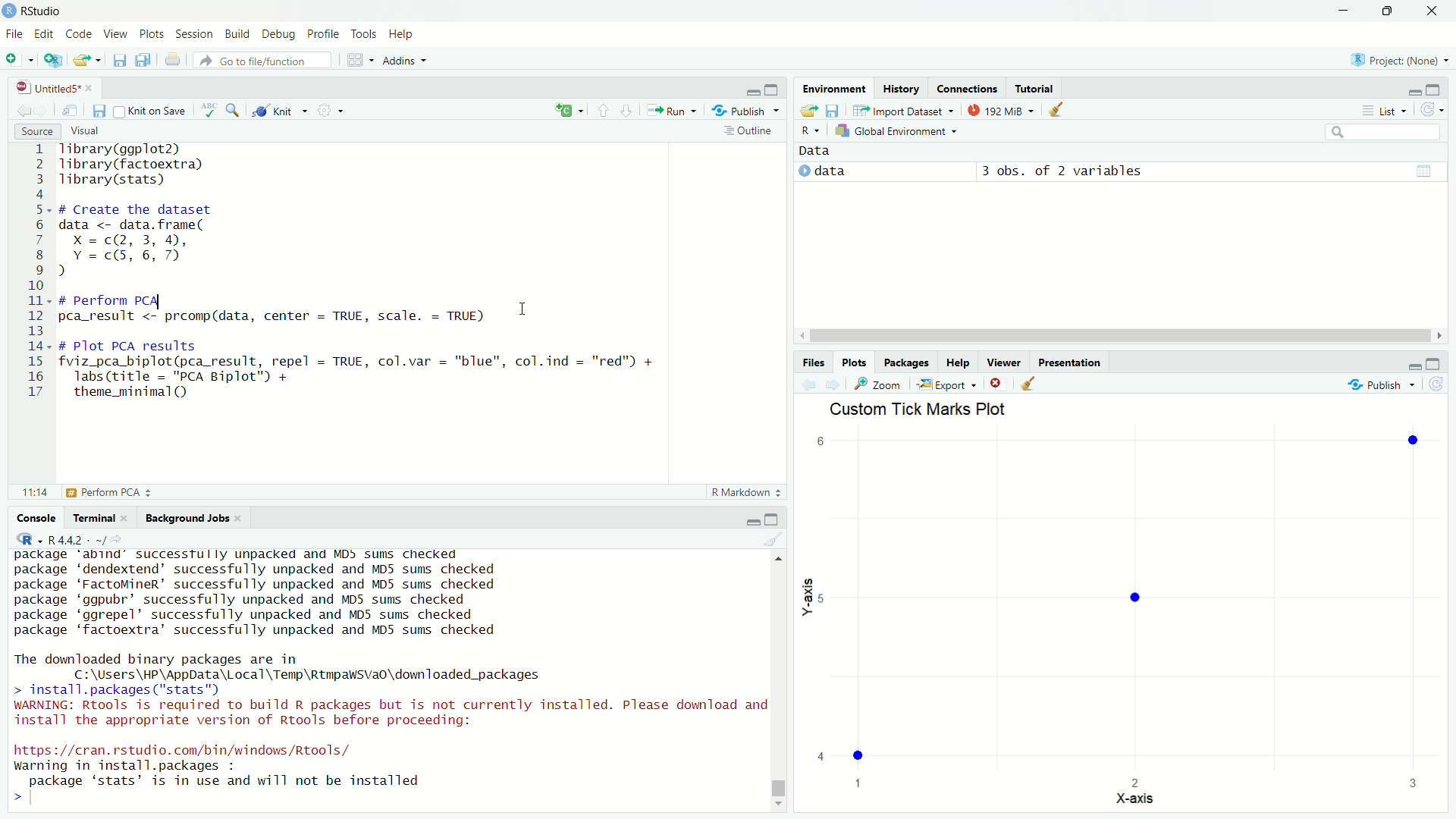 The width and height of the screenshot is (1456, 819). I want to click on history, so click(902, 89).